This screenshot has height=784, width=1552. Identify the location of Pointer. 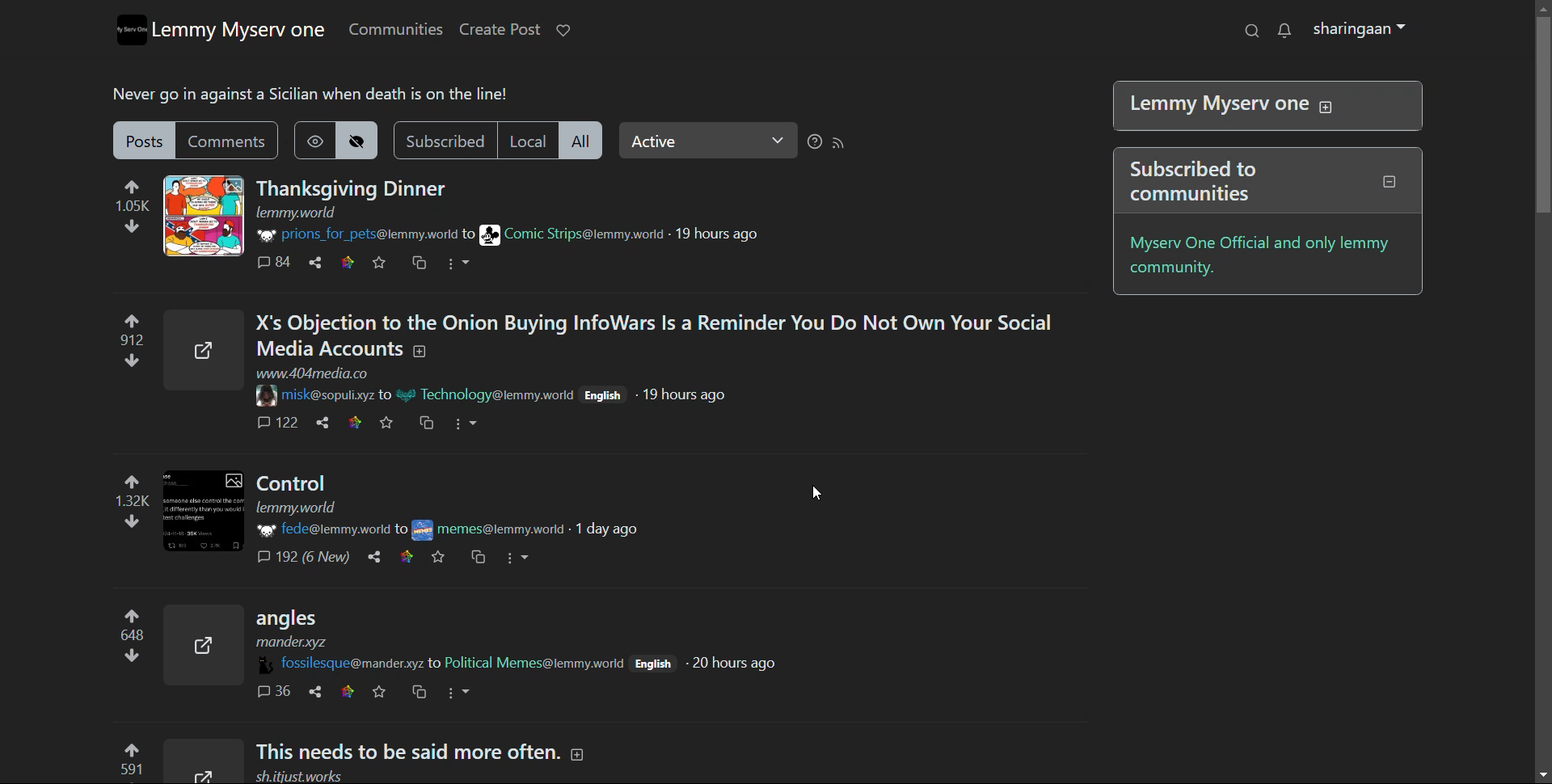
(824, 489).